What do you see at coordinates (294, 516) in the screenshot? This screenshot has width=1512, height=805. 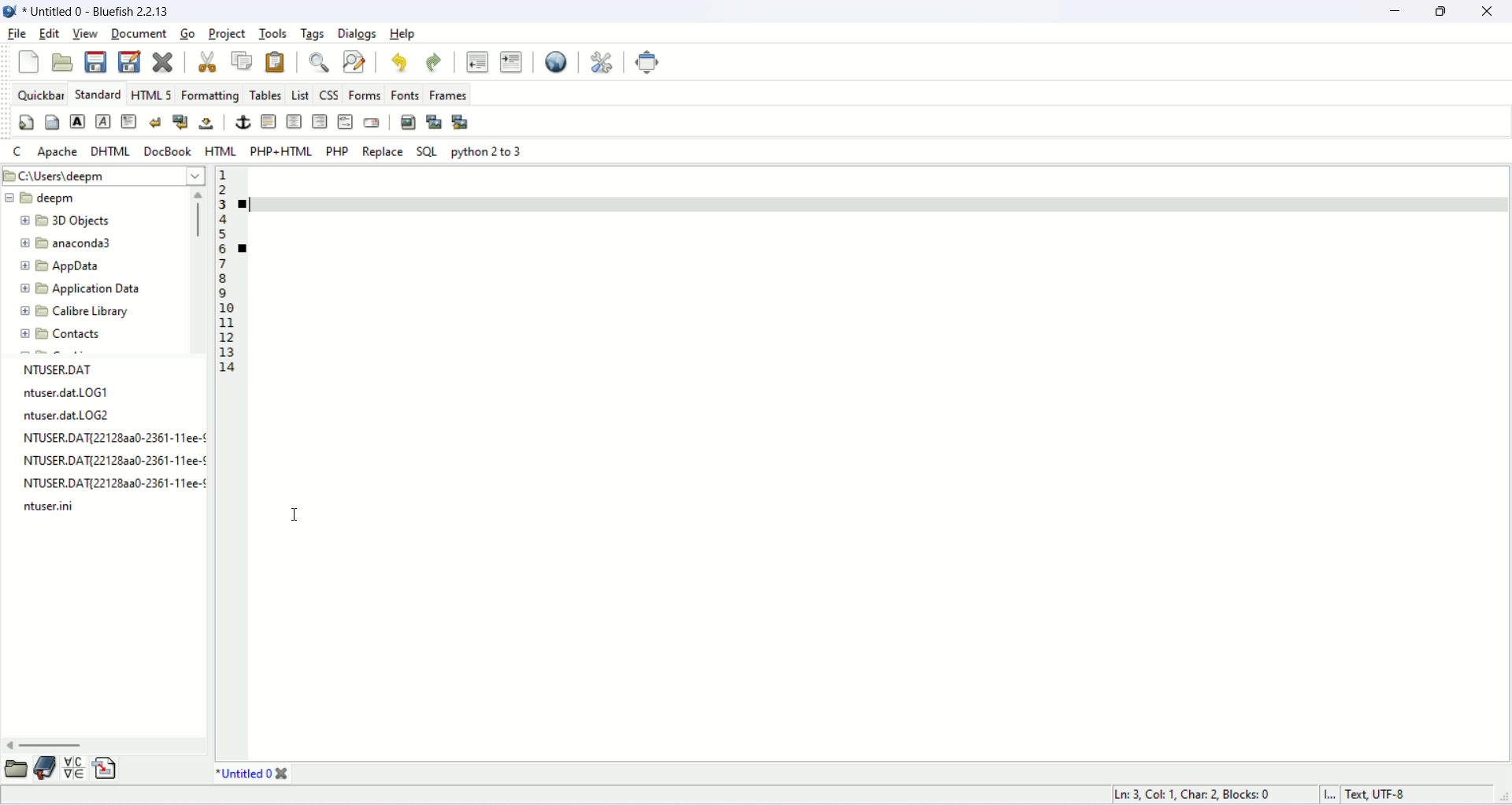 I see `cursor` at bounding box center [294, 516].